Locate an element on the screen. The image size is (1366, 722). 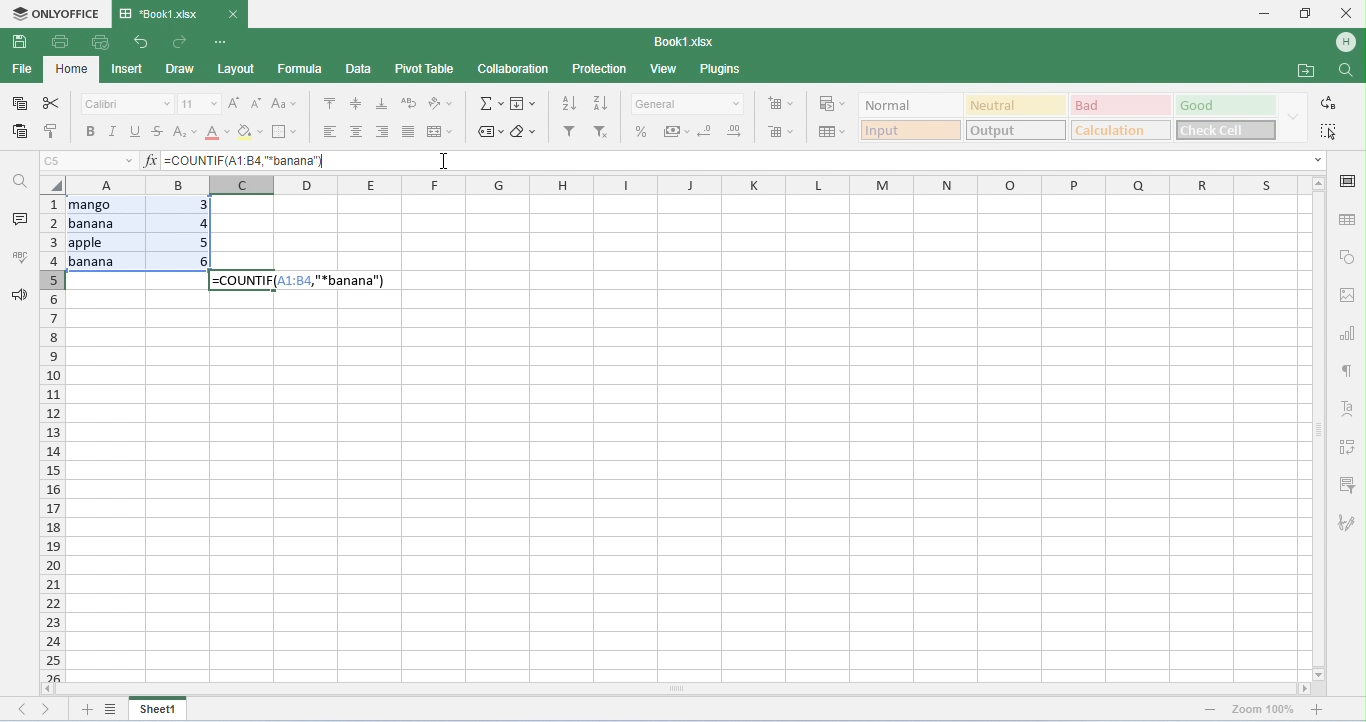
5 is located at coordinates (199, 243).